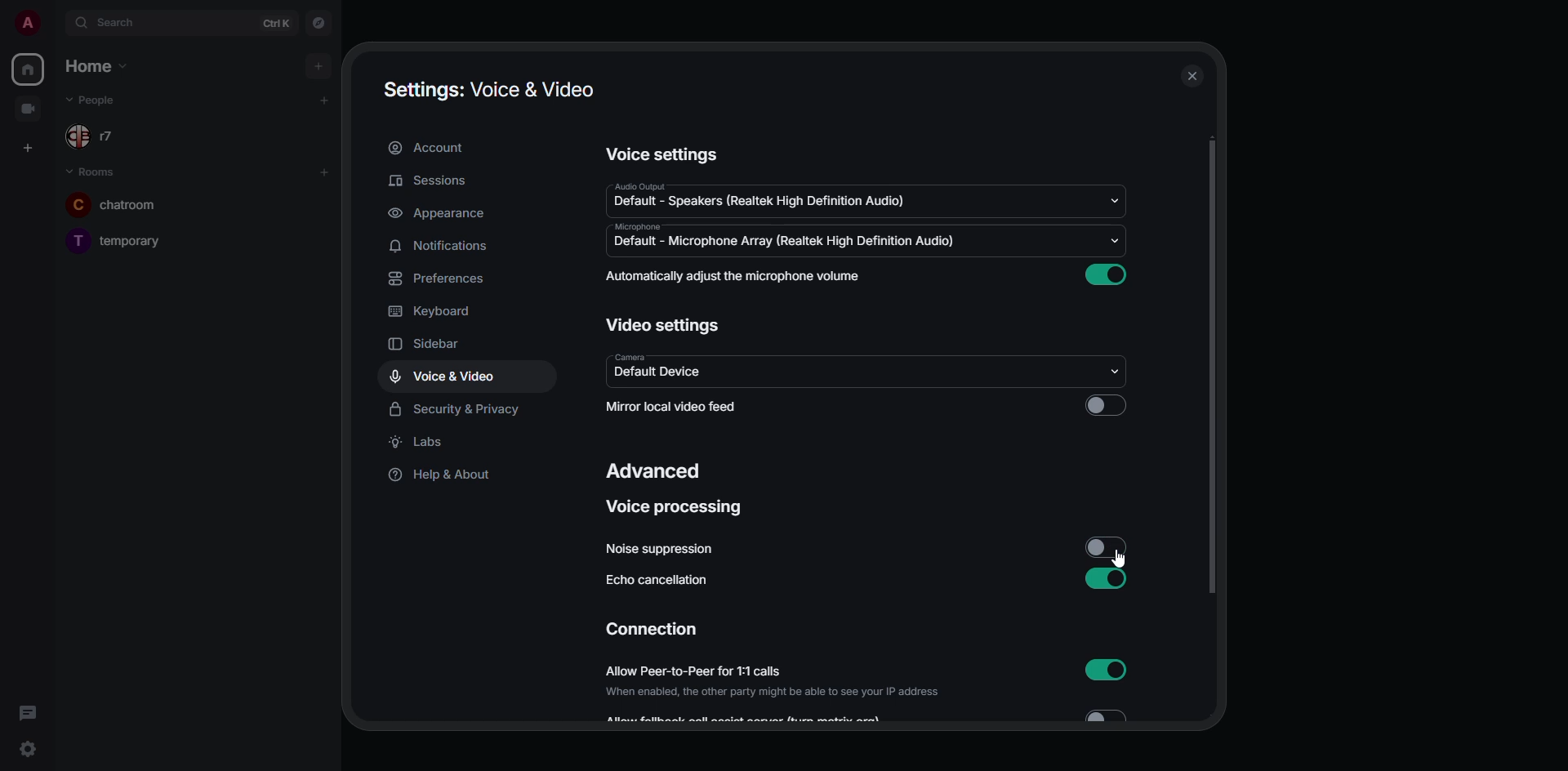  What do you see at coordinates (104, 138) in the screenshot?
I see `people` at bounding box center [104, 138].